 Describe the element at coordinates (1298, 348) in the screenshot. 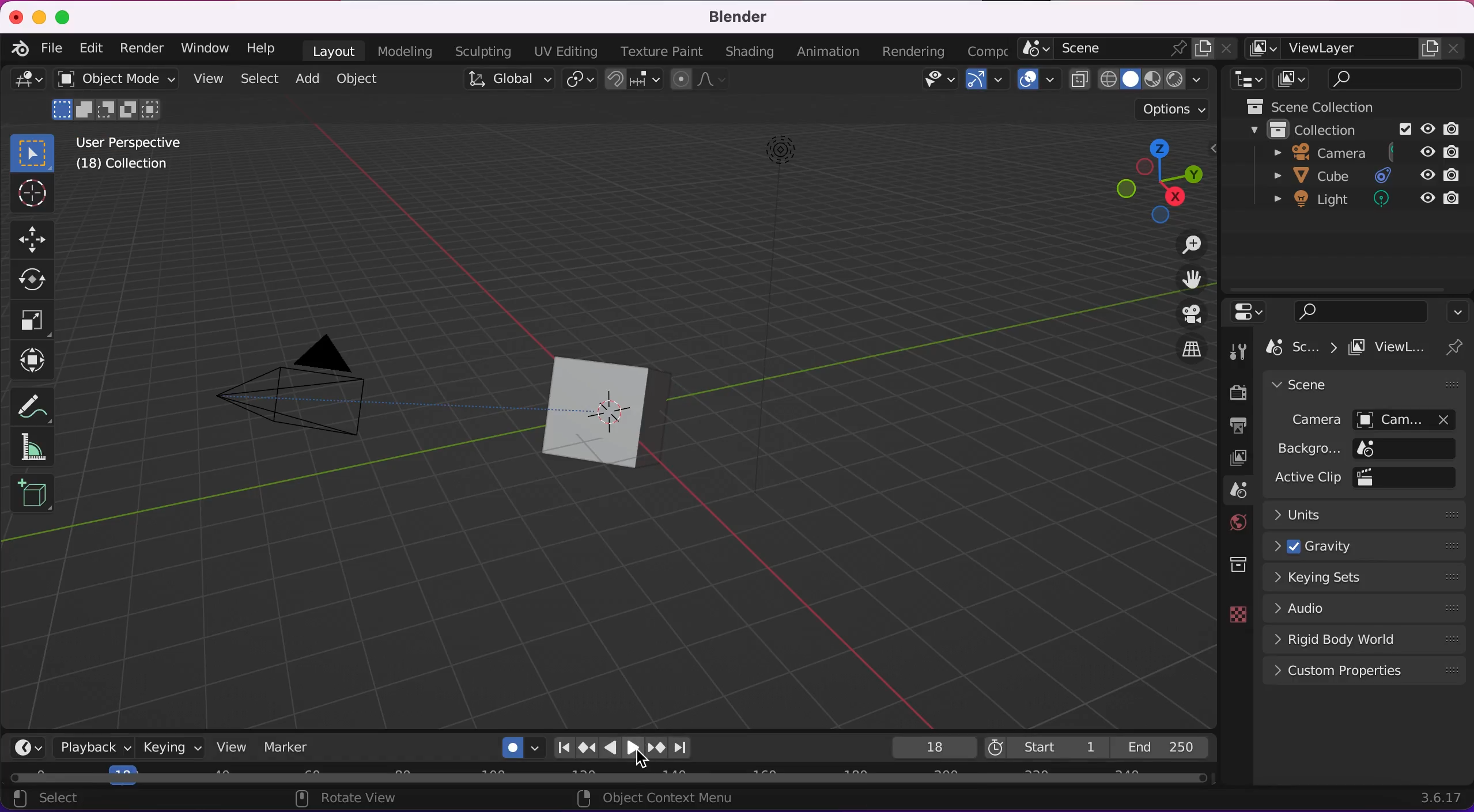

I see `scene` at that location.